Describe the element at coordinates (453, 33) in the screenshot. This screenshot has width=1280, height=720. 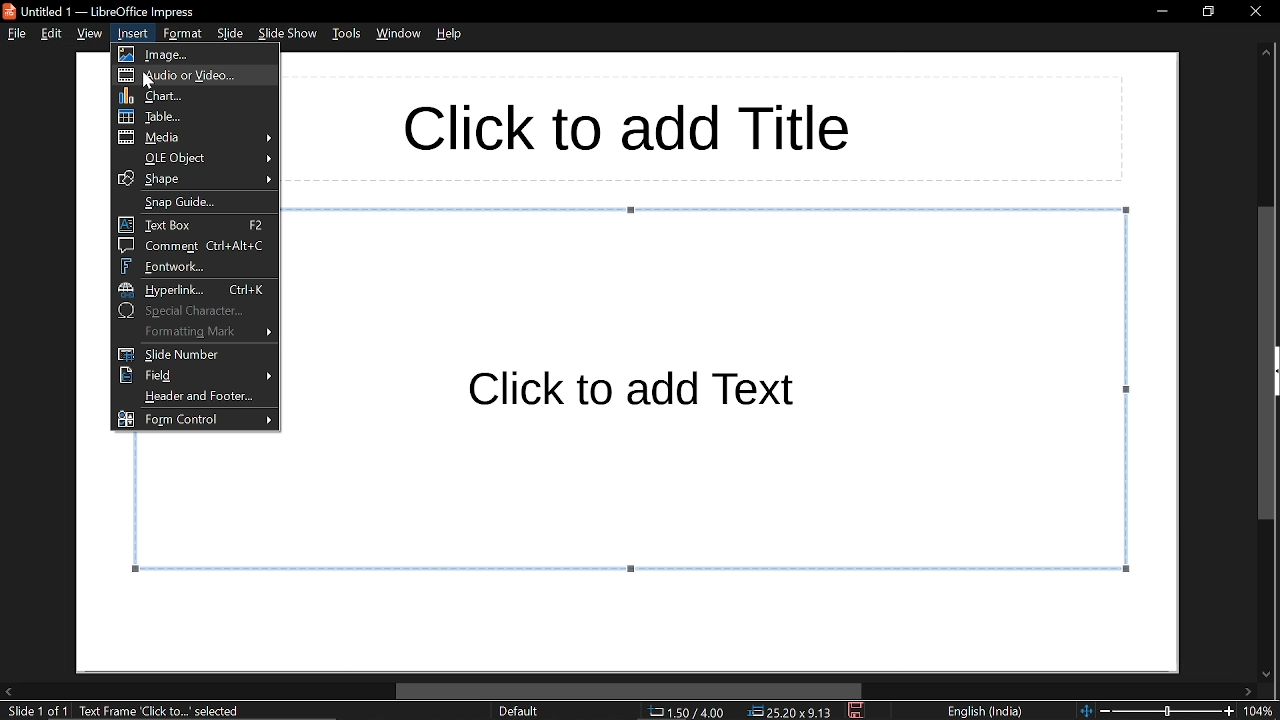
I see `help` at that location.